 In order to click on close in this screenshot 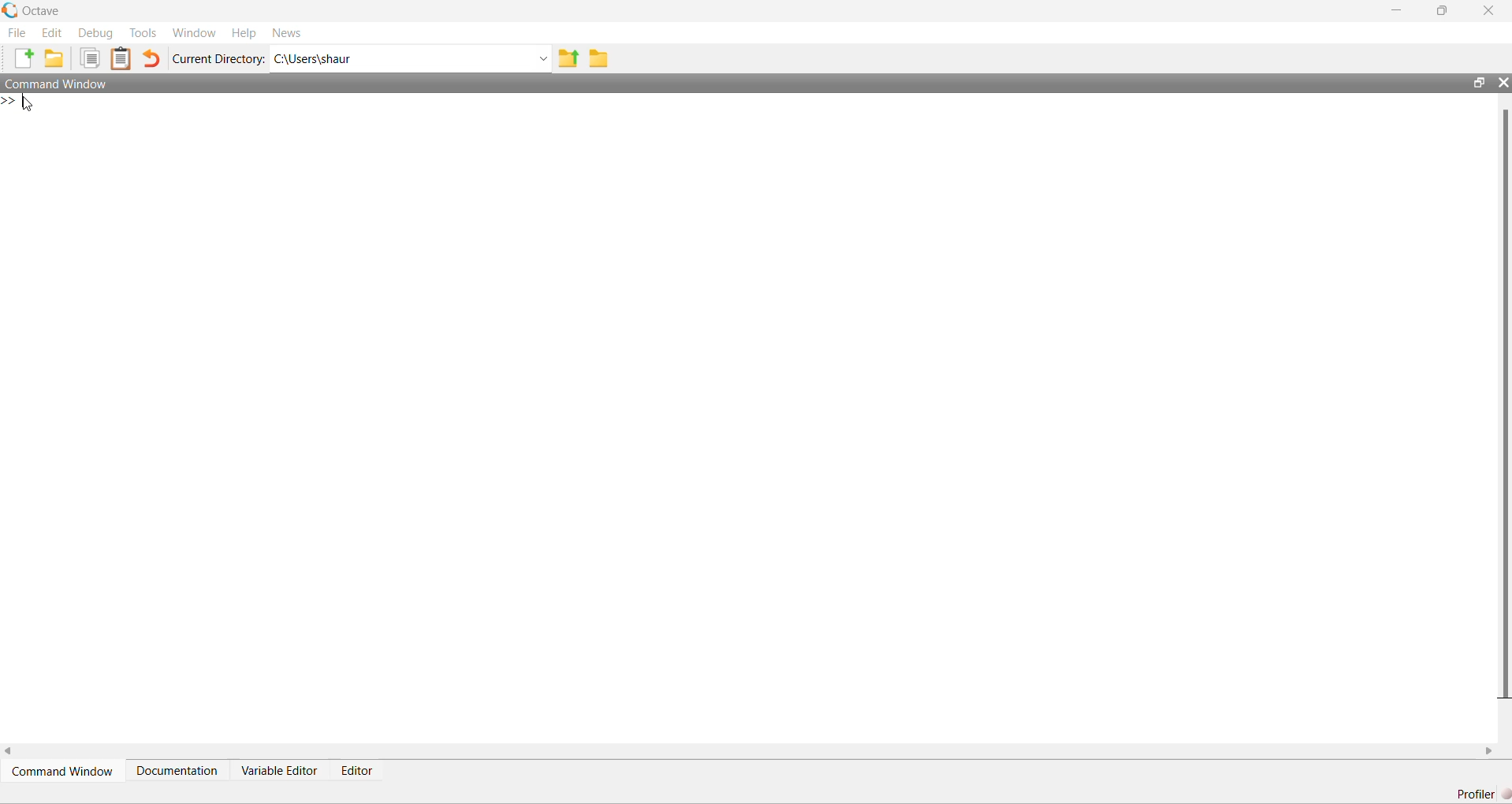, I will do `click(1488, 9)`.